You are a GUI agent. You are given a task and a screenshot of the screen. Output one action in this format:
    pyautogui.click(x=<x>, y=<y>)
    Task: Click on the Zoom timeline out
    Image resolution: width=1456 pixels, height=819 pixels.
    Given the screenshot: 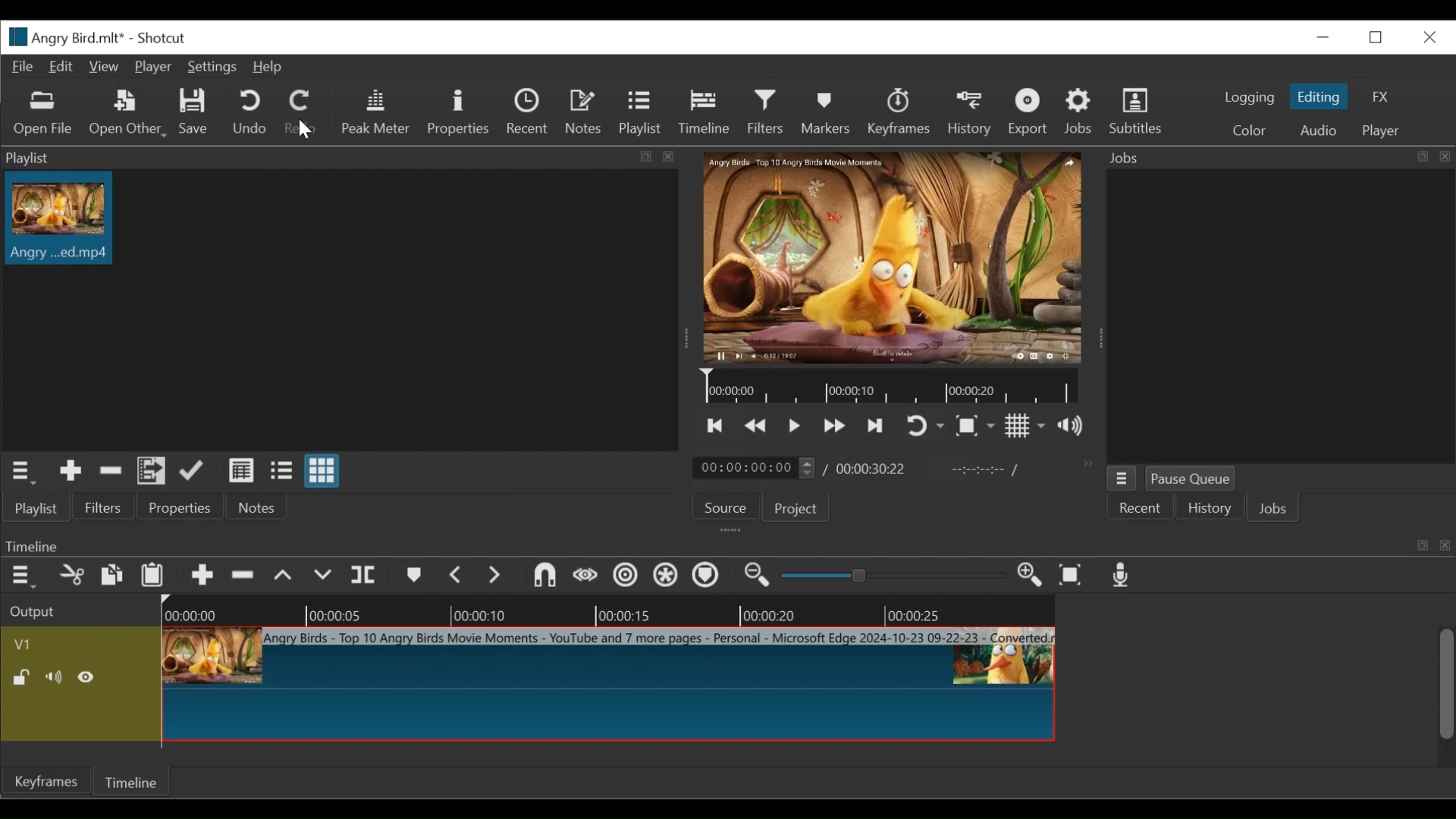 What is the action you would take?
    pyautogui.click(x=758, y=577)
    